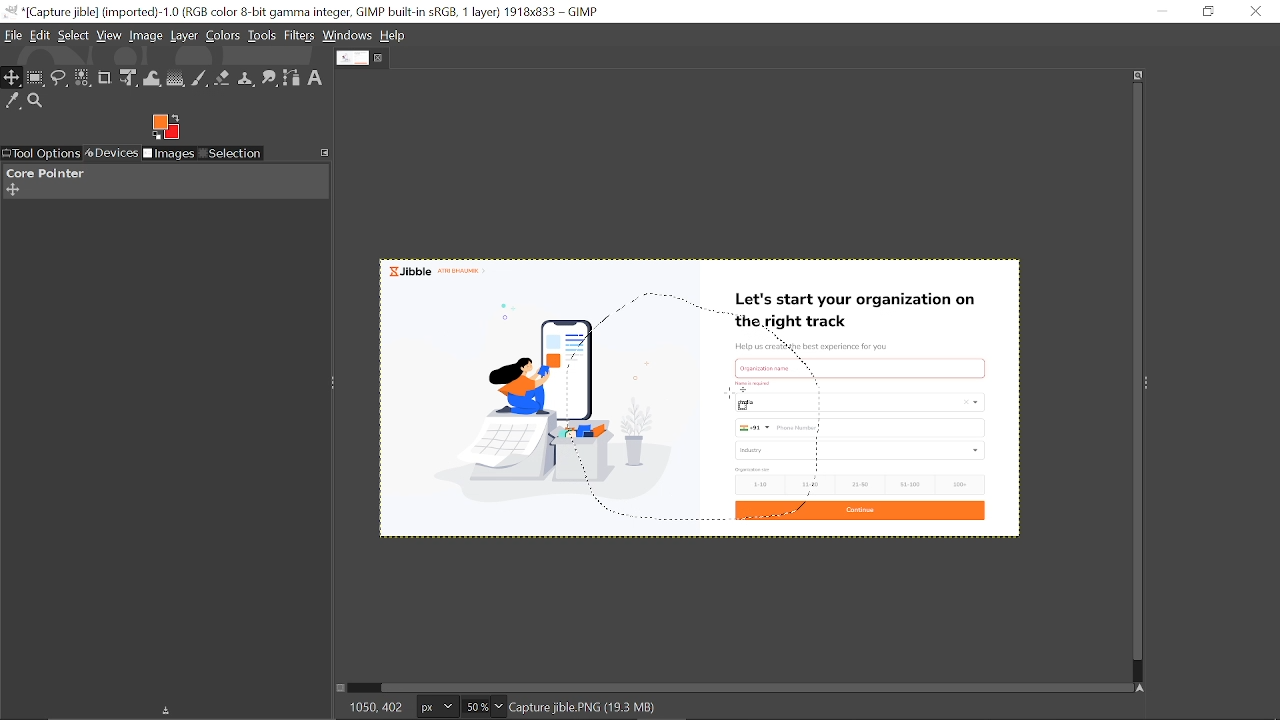  What do you see at coordinates (754, 484) in the screenshot?
I see `1-10` at bounding box center [754, 484].